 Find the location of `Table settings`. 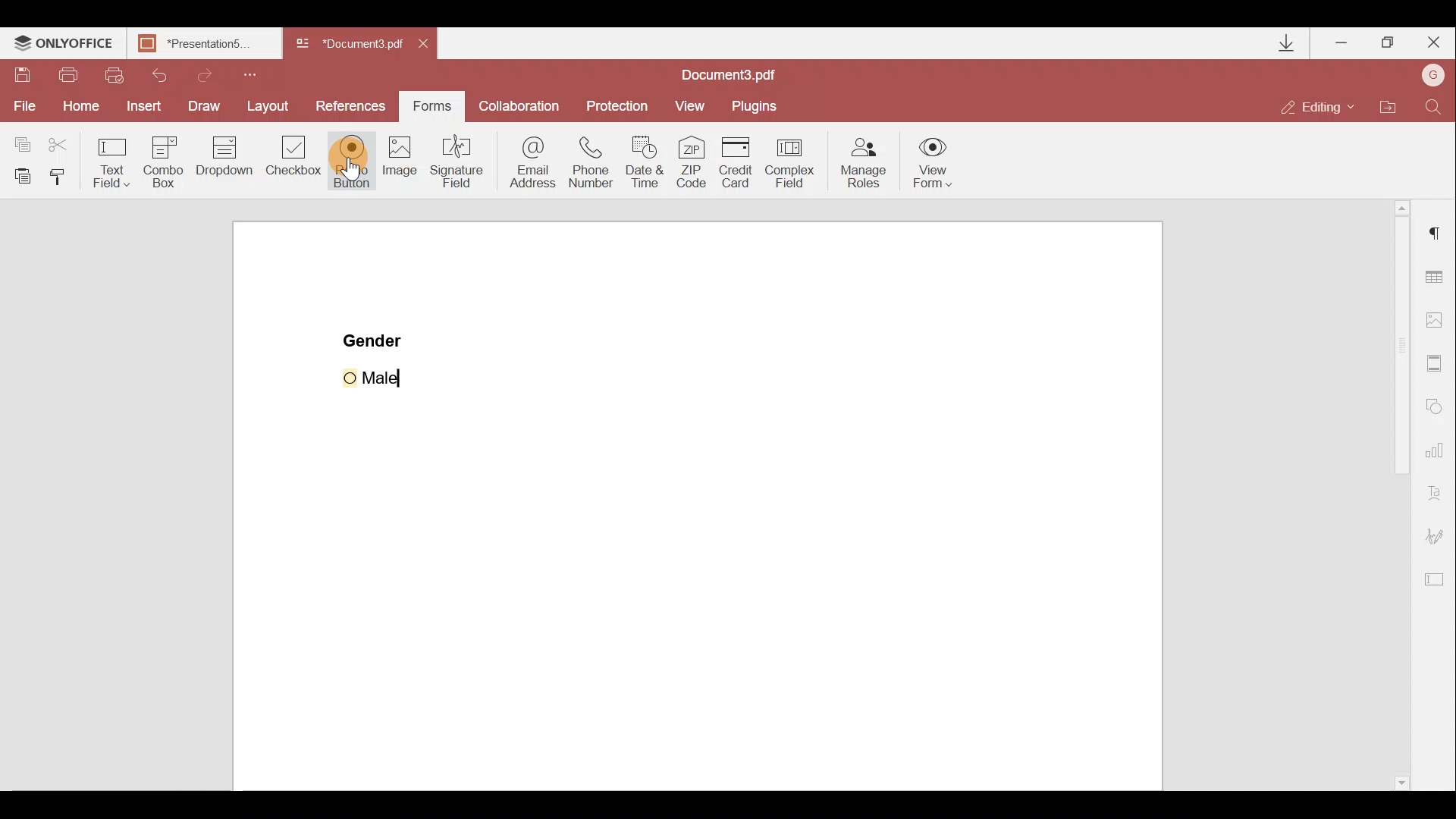

Table settings is located at coordinates (1437, 274).